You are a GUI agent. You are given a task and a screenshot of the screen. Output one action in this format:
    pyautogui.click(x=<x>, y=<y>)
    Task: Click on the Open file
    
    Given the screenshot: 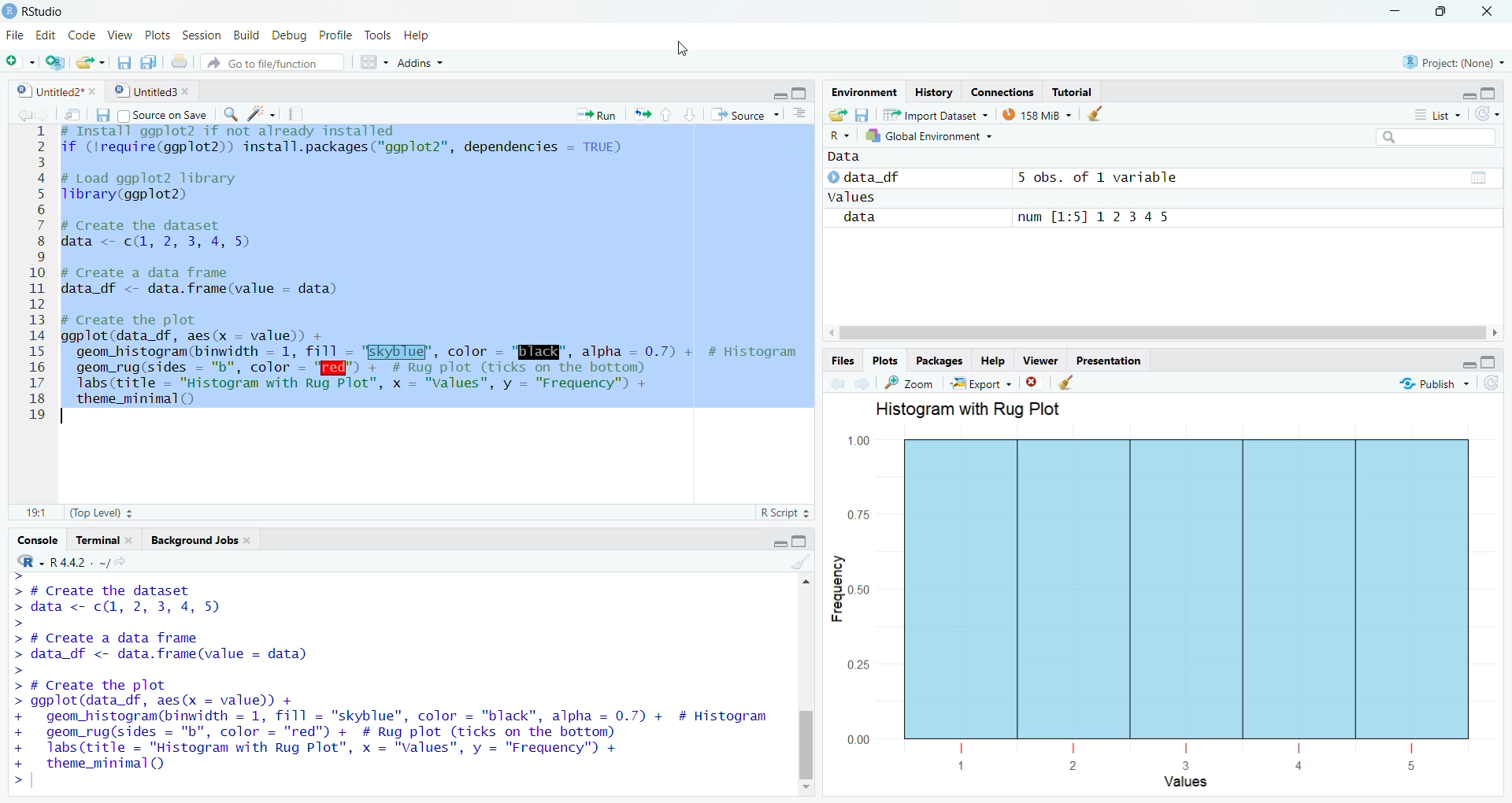 What is the action you would take?
    pyautogui.click(x=90, y=61)
    